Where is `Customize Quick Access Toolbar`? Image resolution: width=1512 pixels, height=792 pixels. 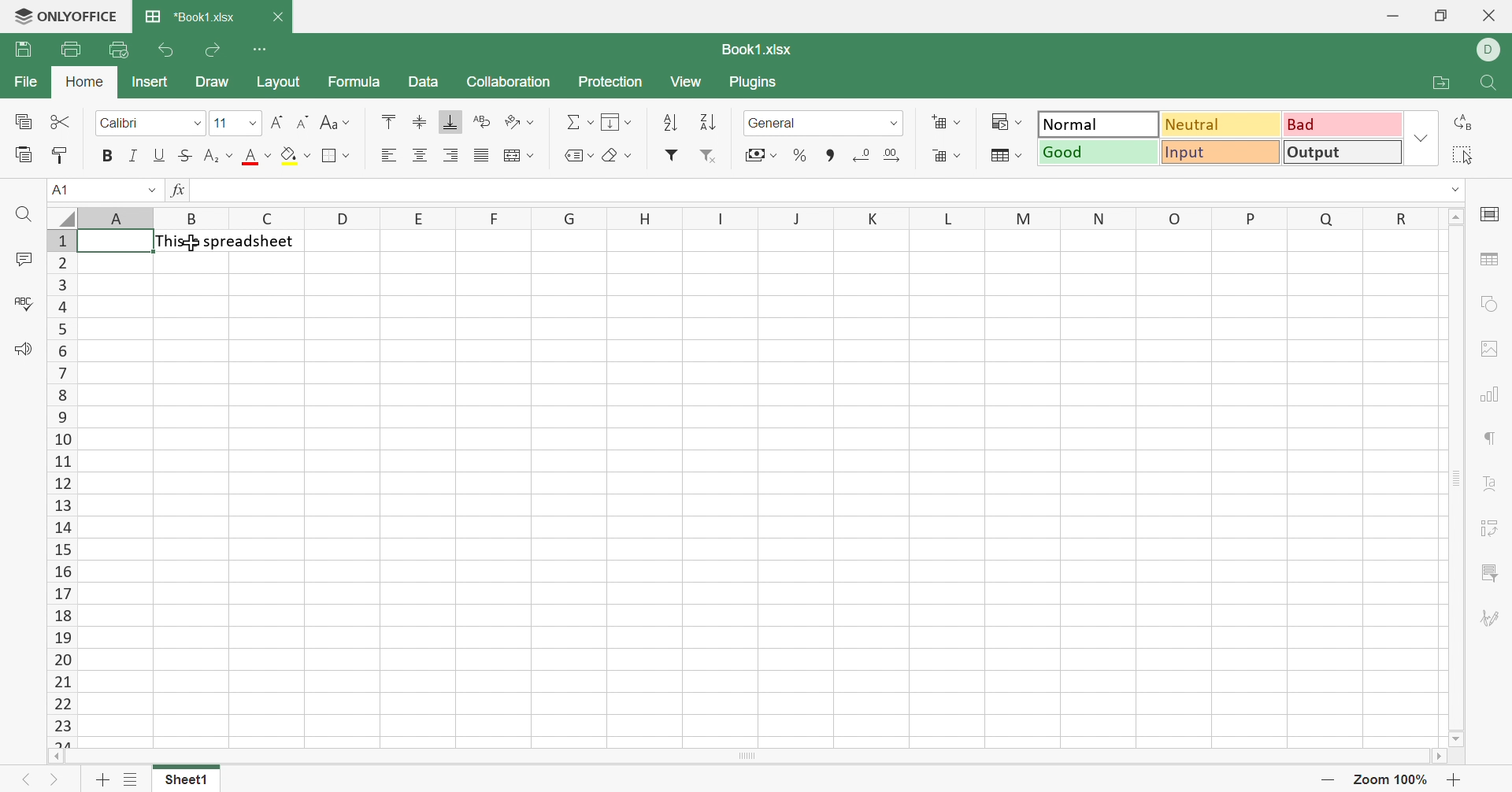
Customize Quick Access Toolbar is located at coordinates (262, 47).